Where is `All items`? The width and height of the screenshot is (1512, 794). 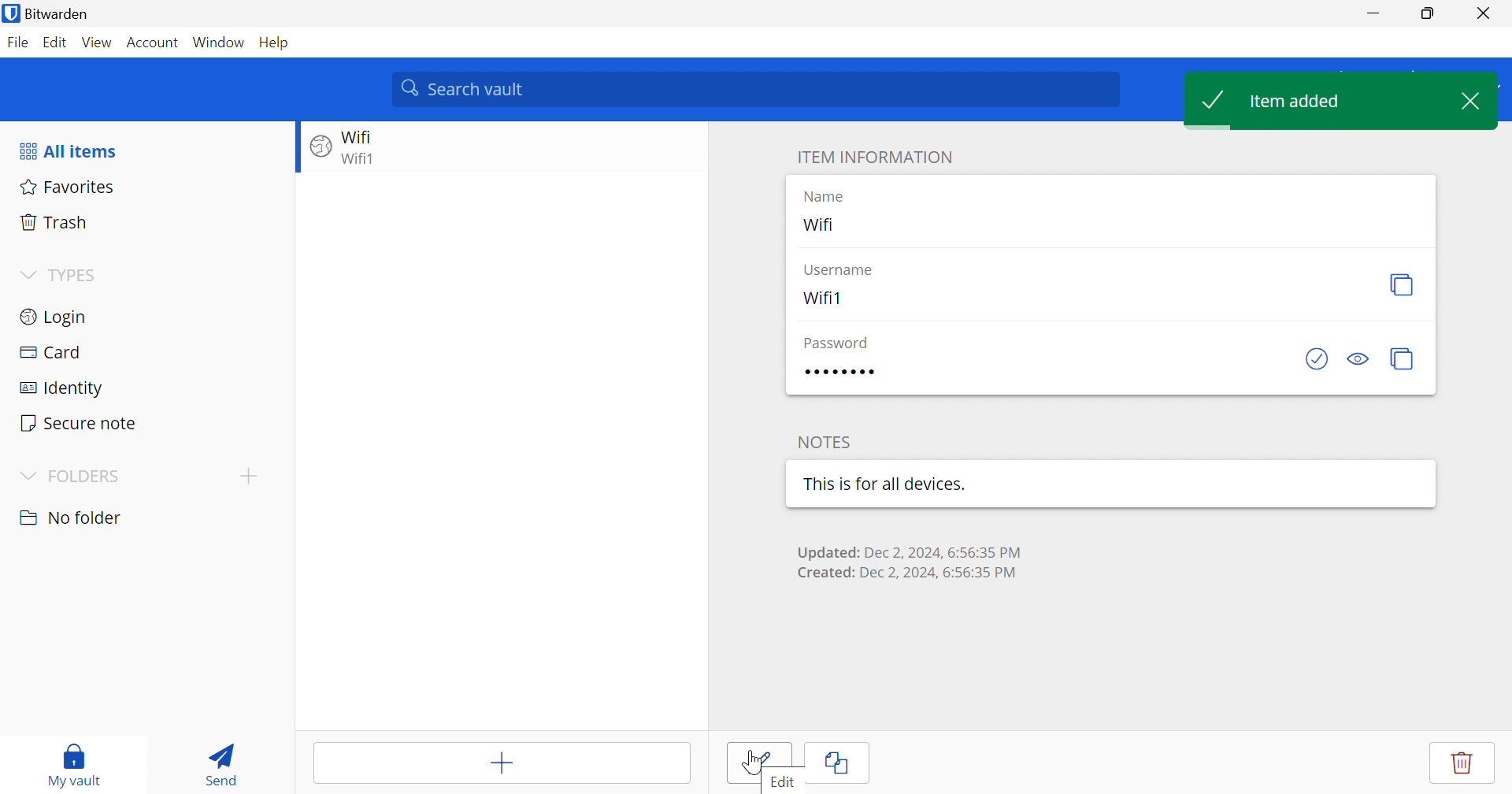
All items is located at coordinates (67, 151).